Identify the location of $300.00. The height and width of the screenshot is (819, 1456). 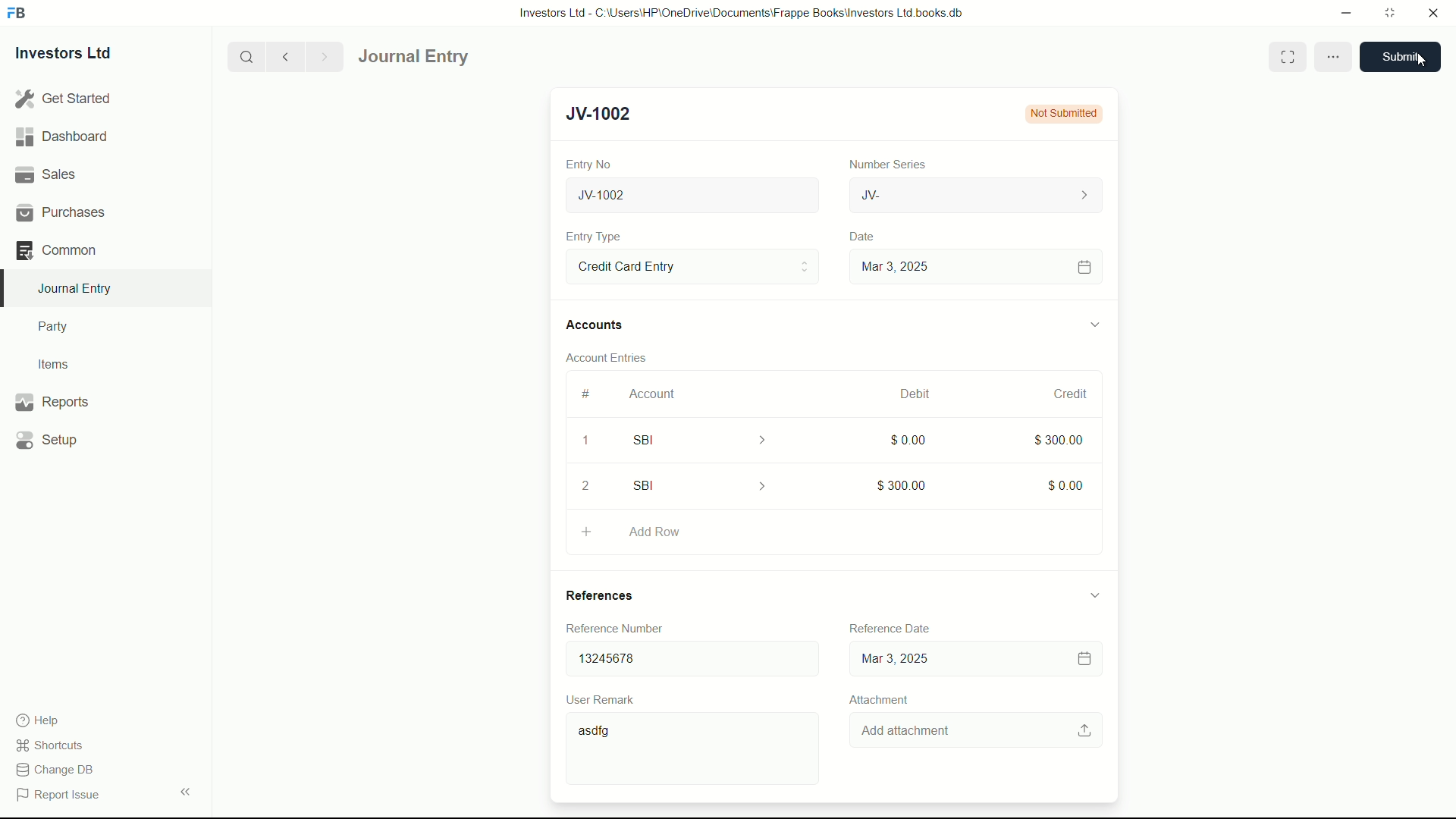
(902, 482).